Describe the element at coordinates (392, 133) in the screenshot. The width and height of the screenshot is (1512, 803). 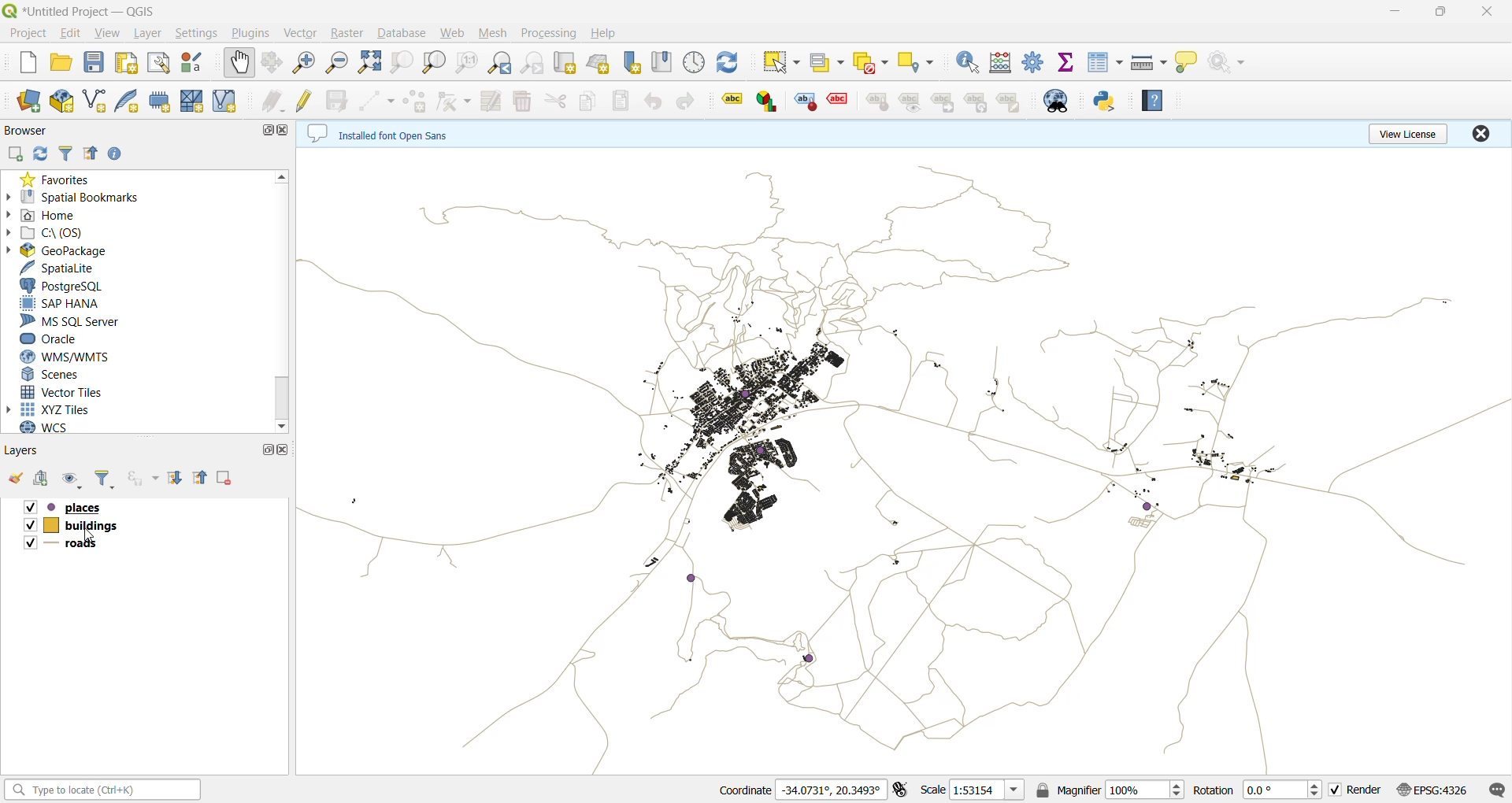
I see `metadata` at that location.